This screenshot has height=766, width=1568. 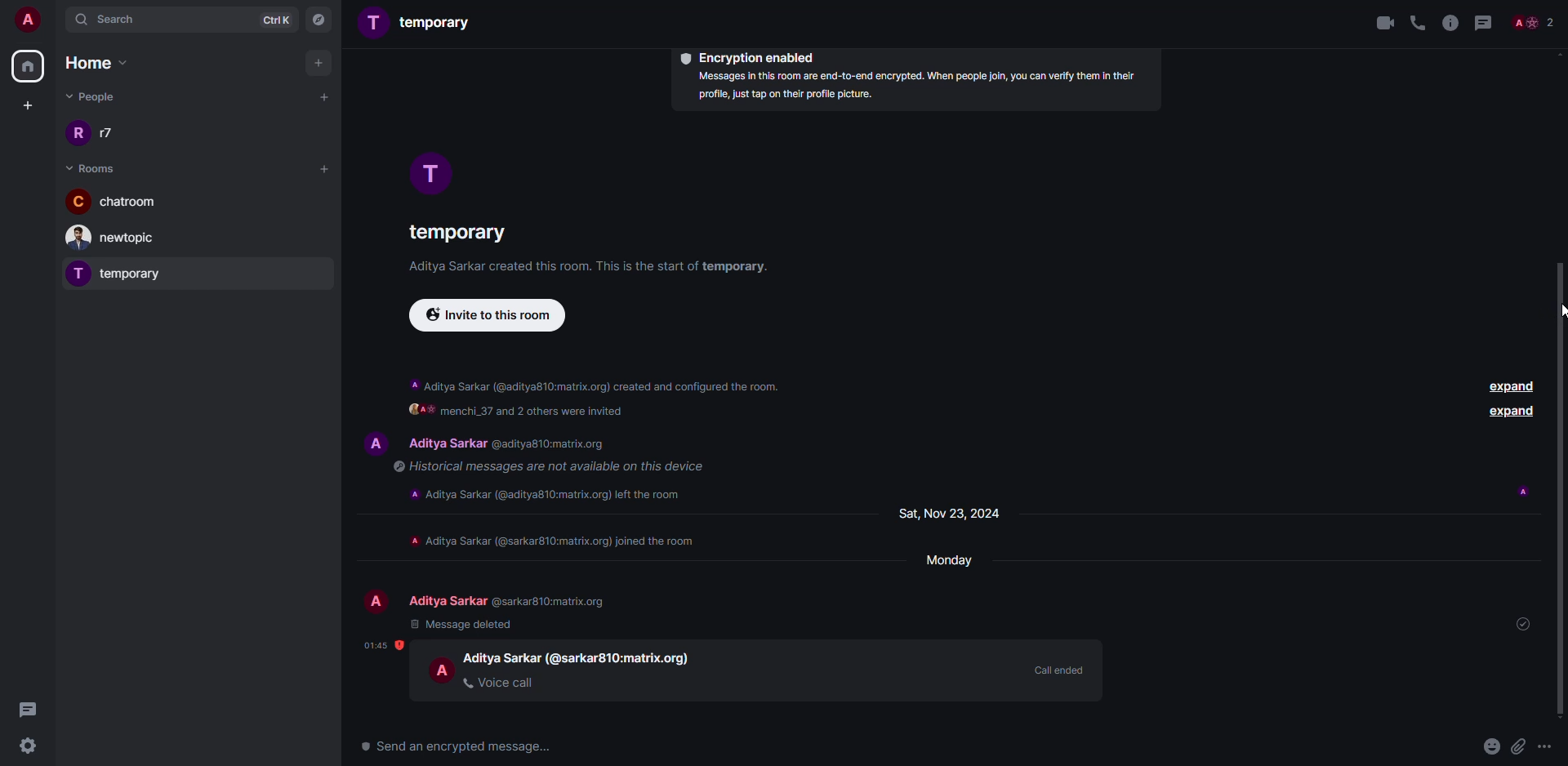 What do you see at coordinates (322, 168) in the screenshot?
I see `add` at bounding box center [322, 168].